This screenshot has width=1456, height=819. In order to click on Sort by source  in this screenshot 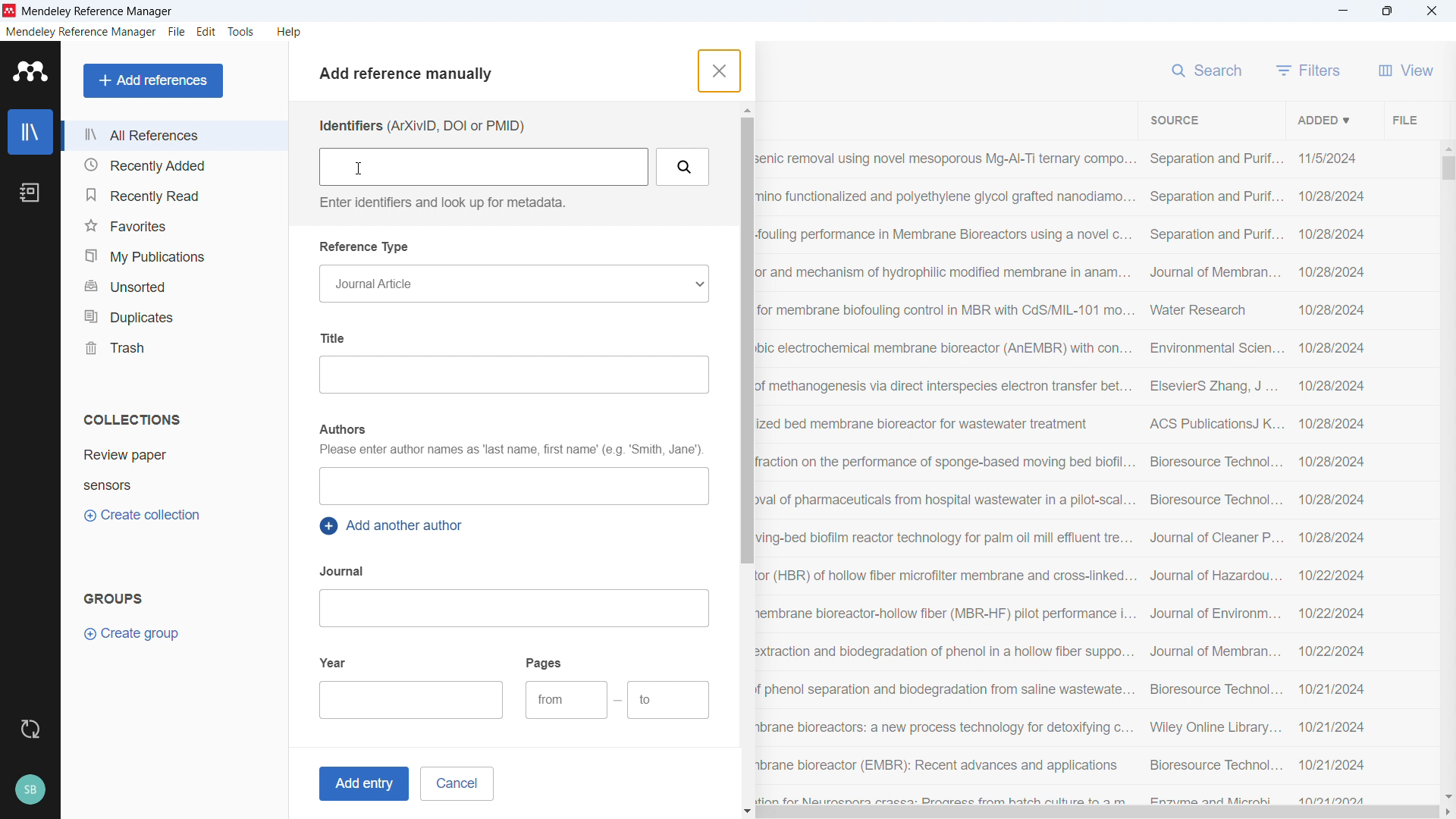, I will do `click(1174, 121)`.